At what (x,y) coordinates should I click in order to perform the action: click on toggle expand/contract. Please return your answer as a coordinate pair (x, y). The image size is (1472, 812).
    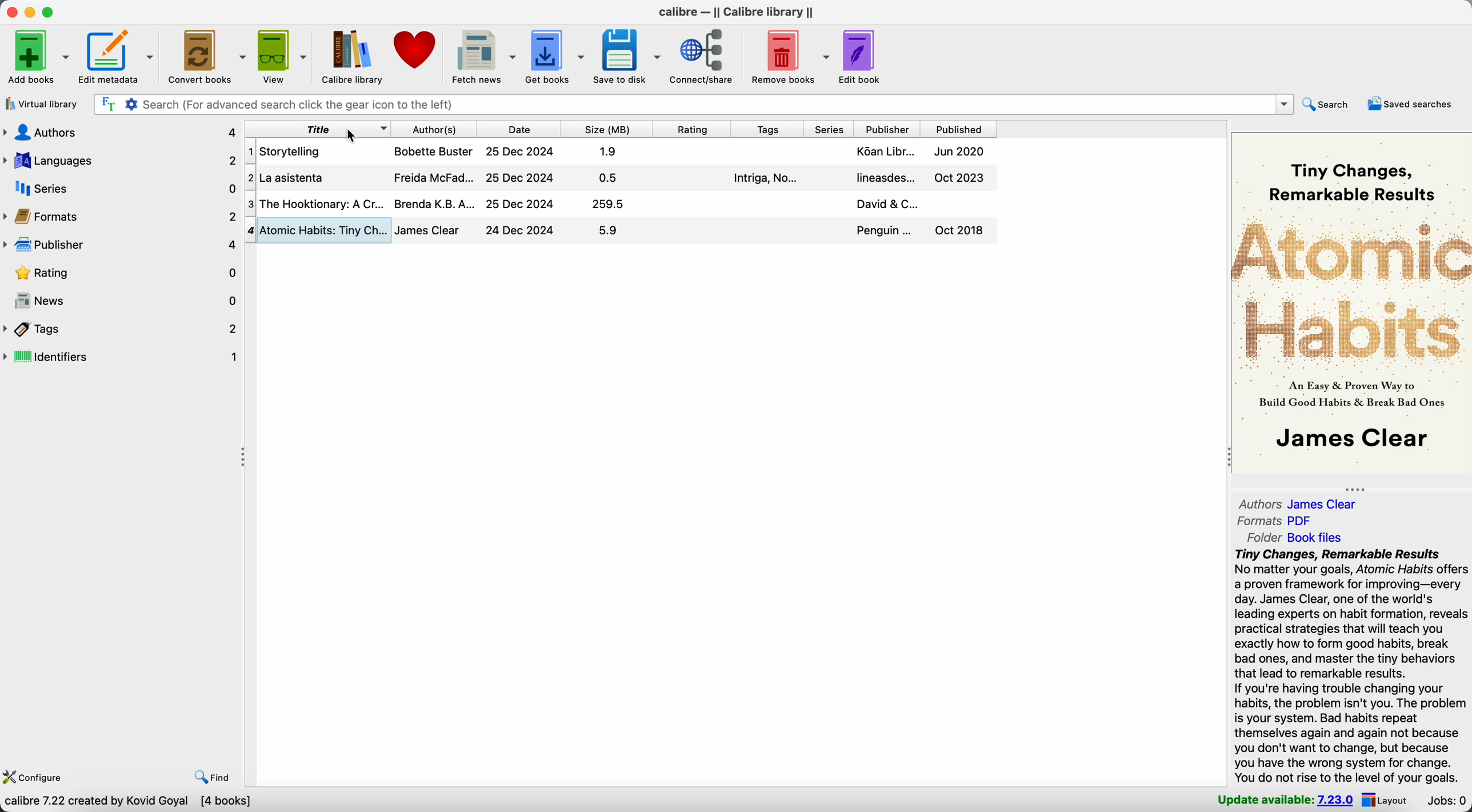
    Looking at the image, I should click on (1229, 456).